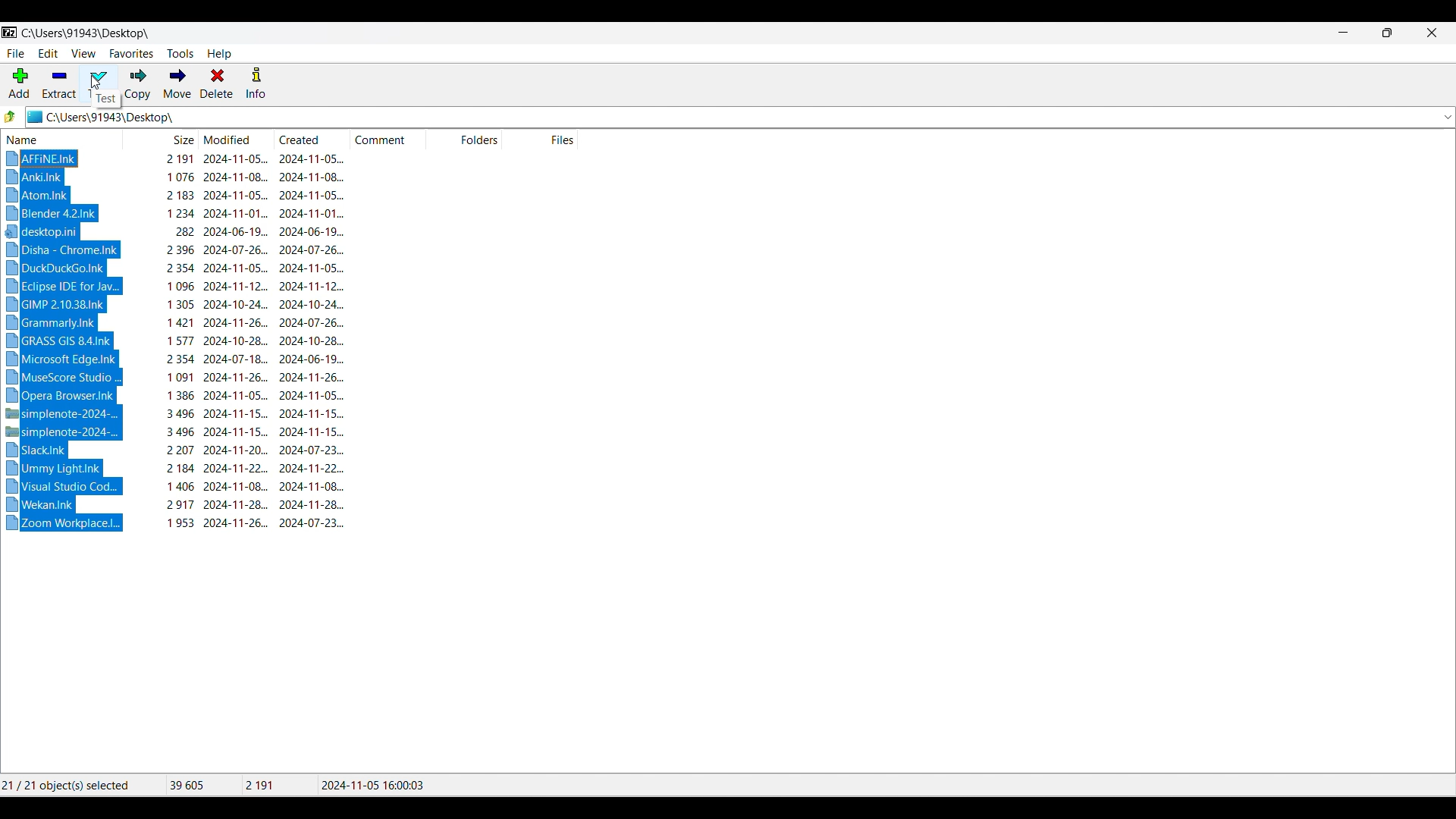  I want to click on Files selected out of total number of files, so click(81, 785).